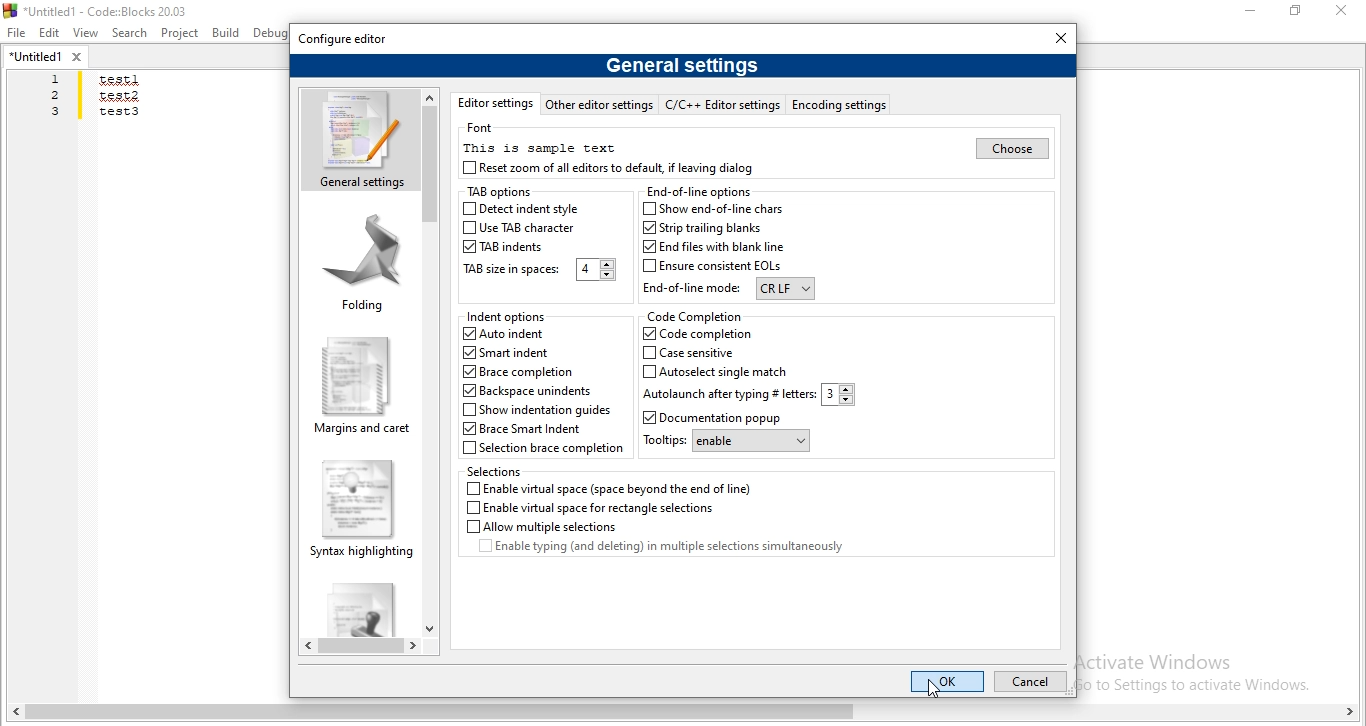  Describe the element at coordinates (361, 647) in the screenshot. I see `scroll bar` at that location.